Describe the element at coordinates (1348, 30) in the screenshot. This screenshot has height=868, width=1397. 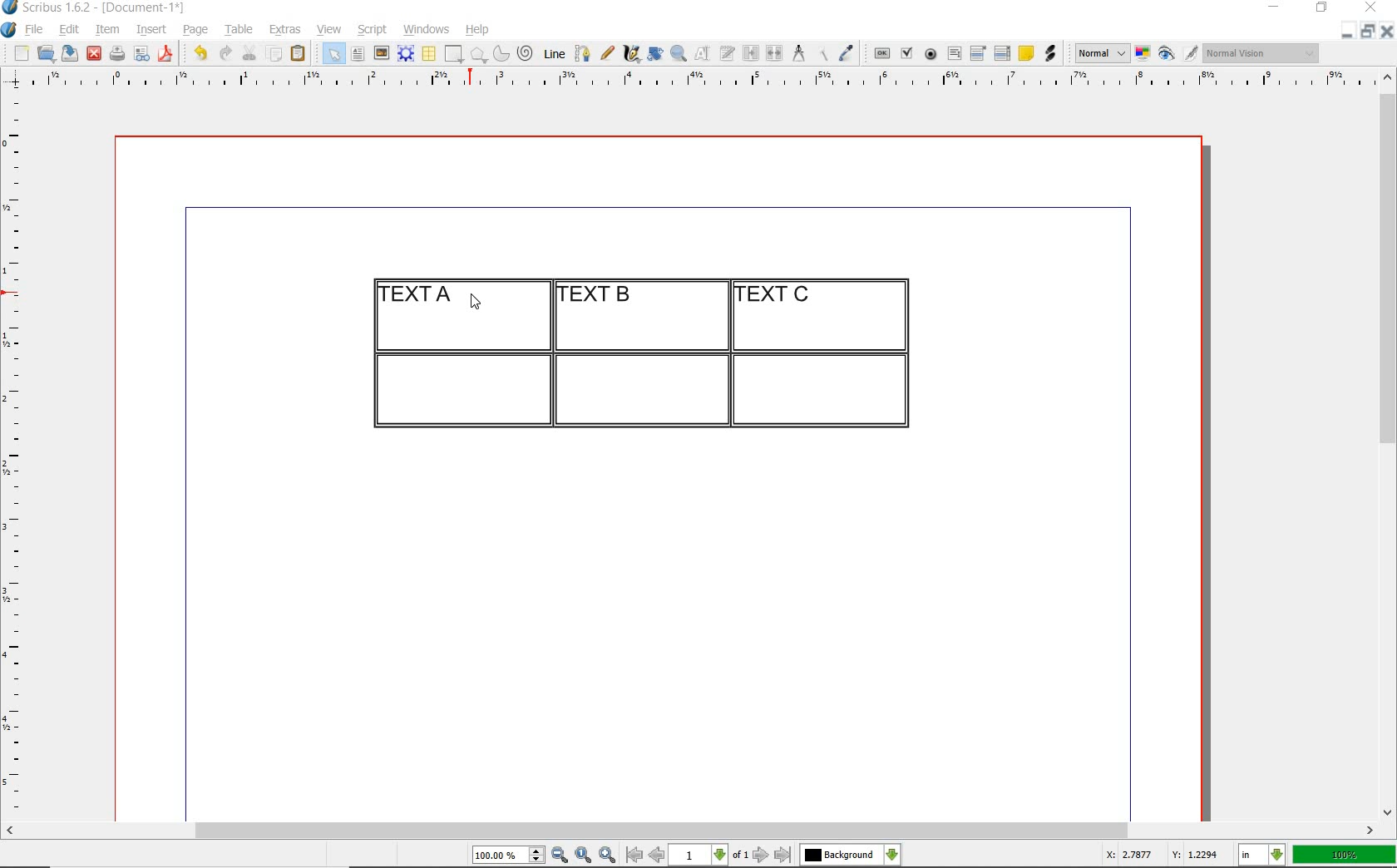
I see `minimize` at that location.